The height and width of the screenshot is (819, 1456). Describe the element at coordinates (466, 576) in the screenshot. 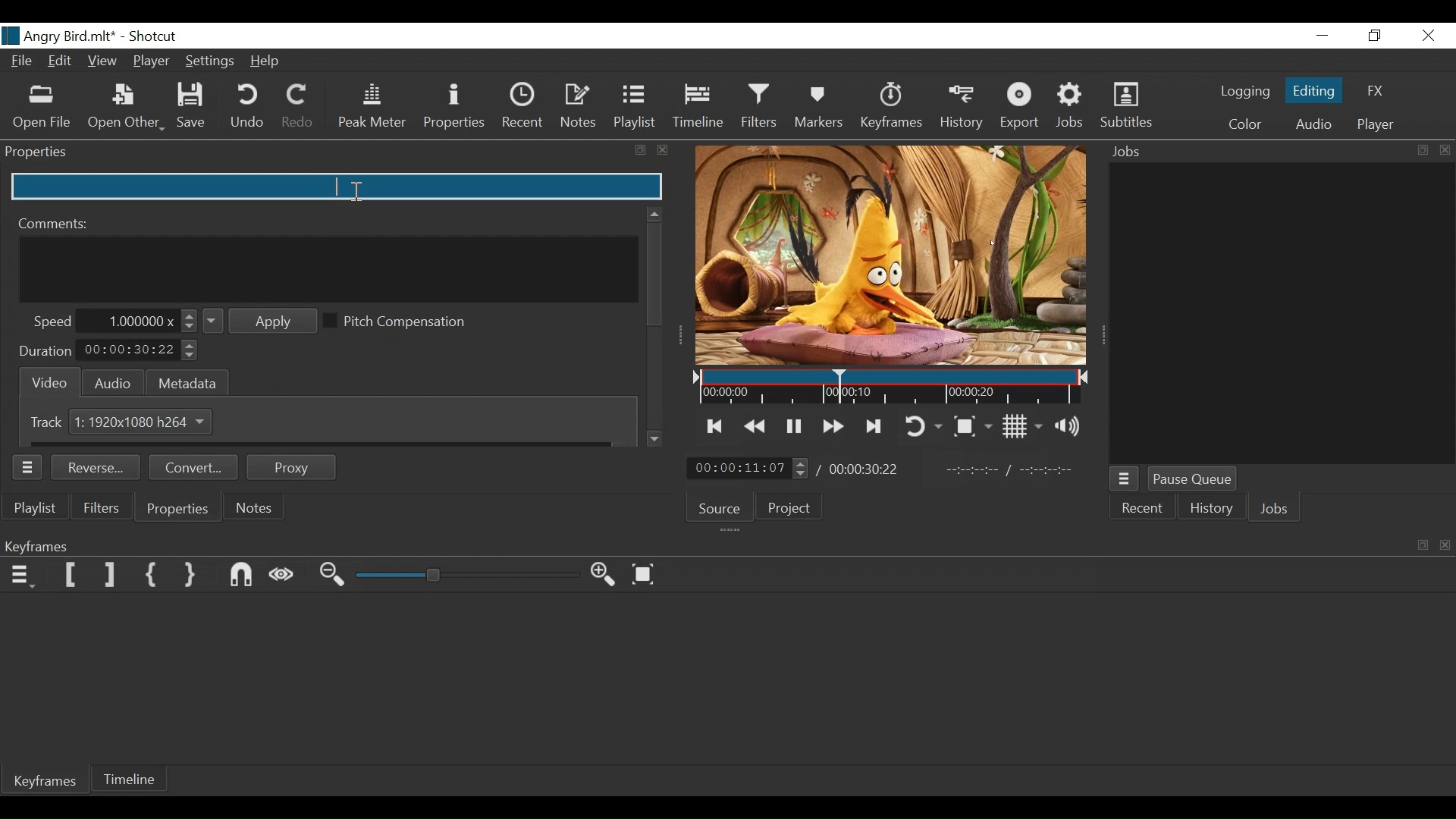

I see `Zoom slider` at that location.